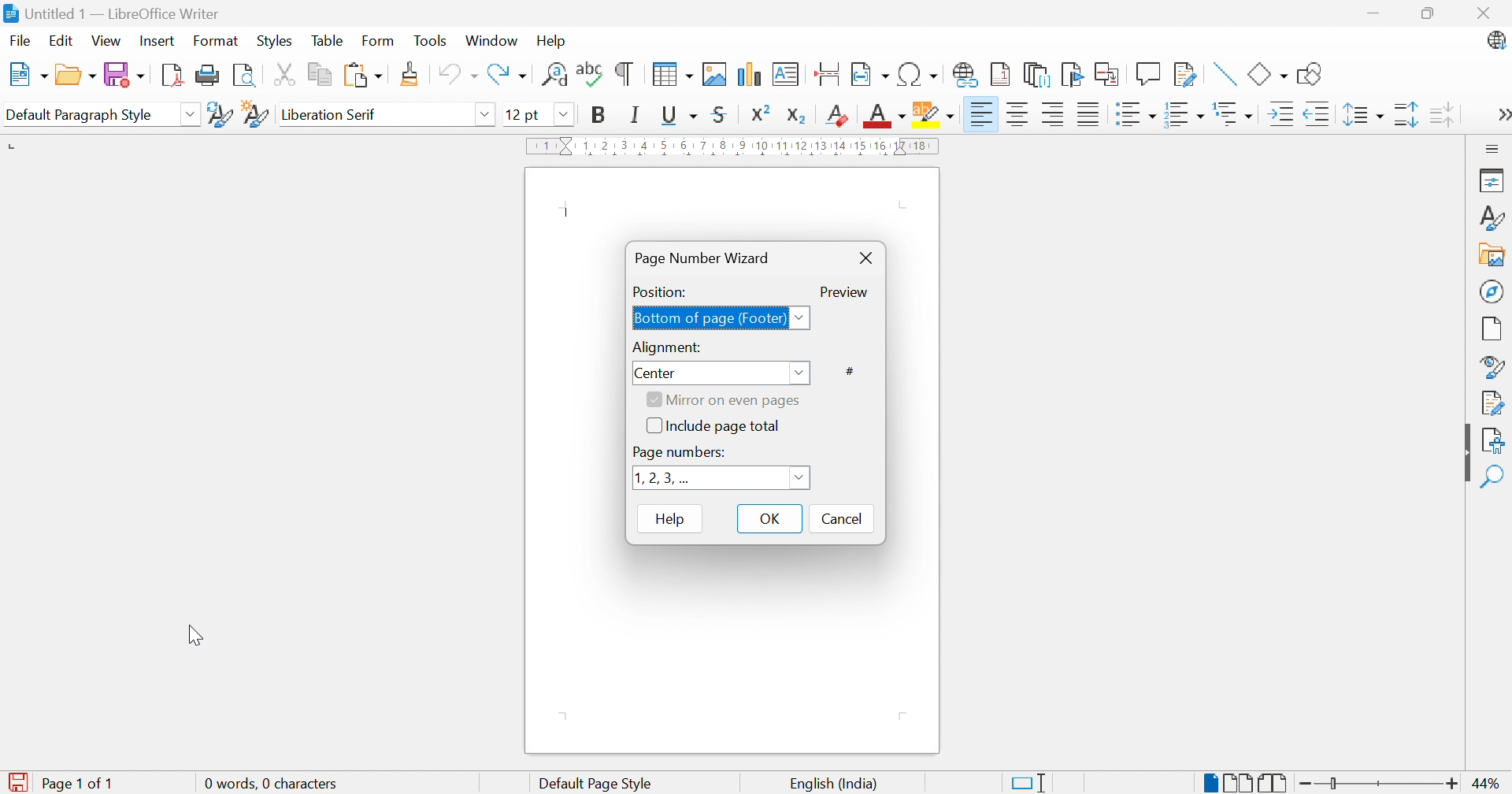 This screenshot has width=1512, height=794. Describe the element at coordinates (175, 77) in the screenshot. I see `Export directly as PDF` at that location.